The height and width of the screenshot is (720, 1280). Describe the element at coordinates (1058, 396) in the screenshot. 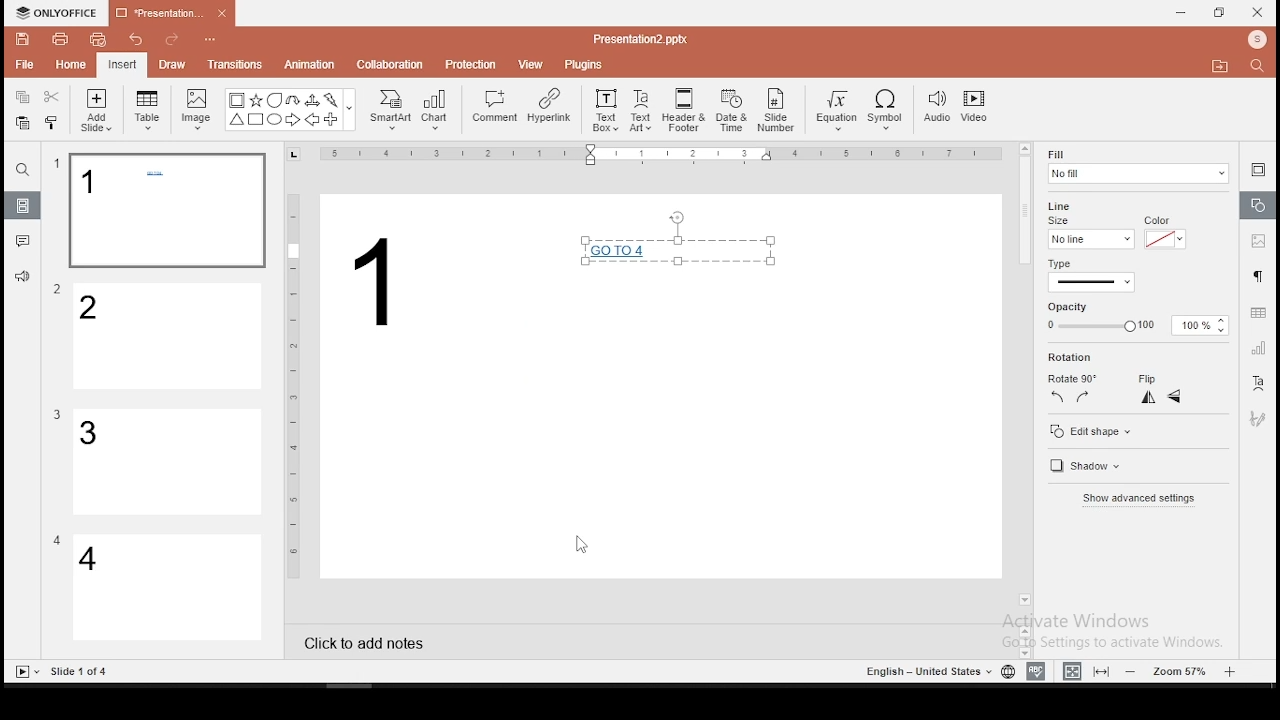

I see `rotate 90 counterclockwise` at that location.